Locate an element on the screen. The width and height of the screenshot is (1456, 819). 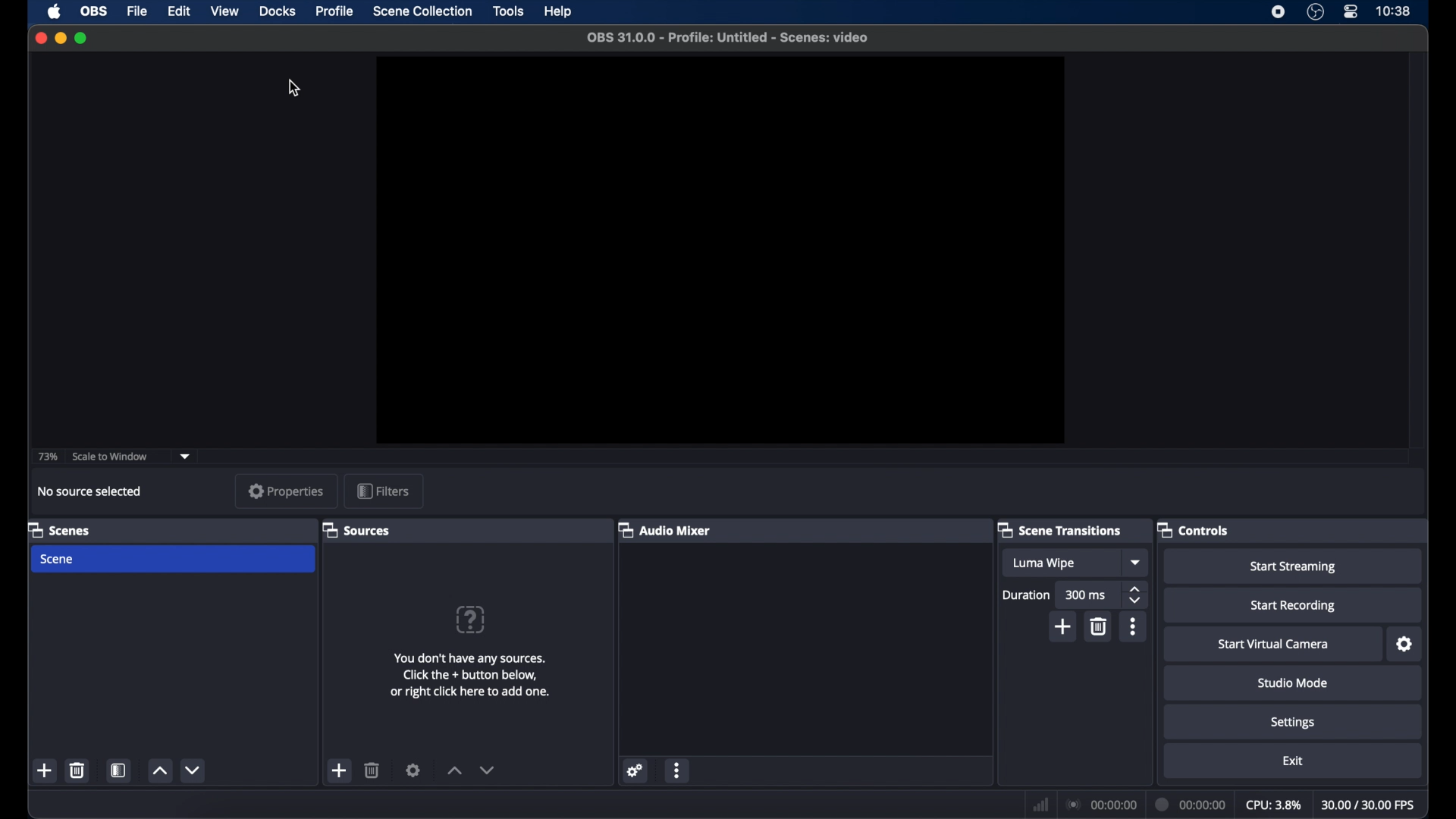
scene filters is located at coordinates (118, 770).